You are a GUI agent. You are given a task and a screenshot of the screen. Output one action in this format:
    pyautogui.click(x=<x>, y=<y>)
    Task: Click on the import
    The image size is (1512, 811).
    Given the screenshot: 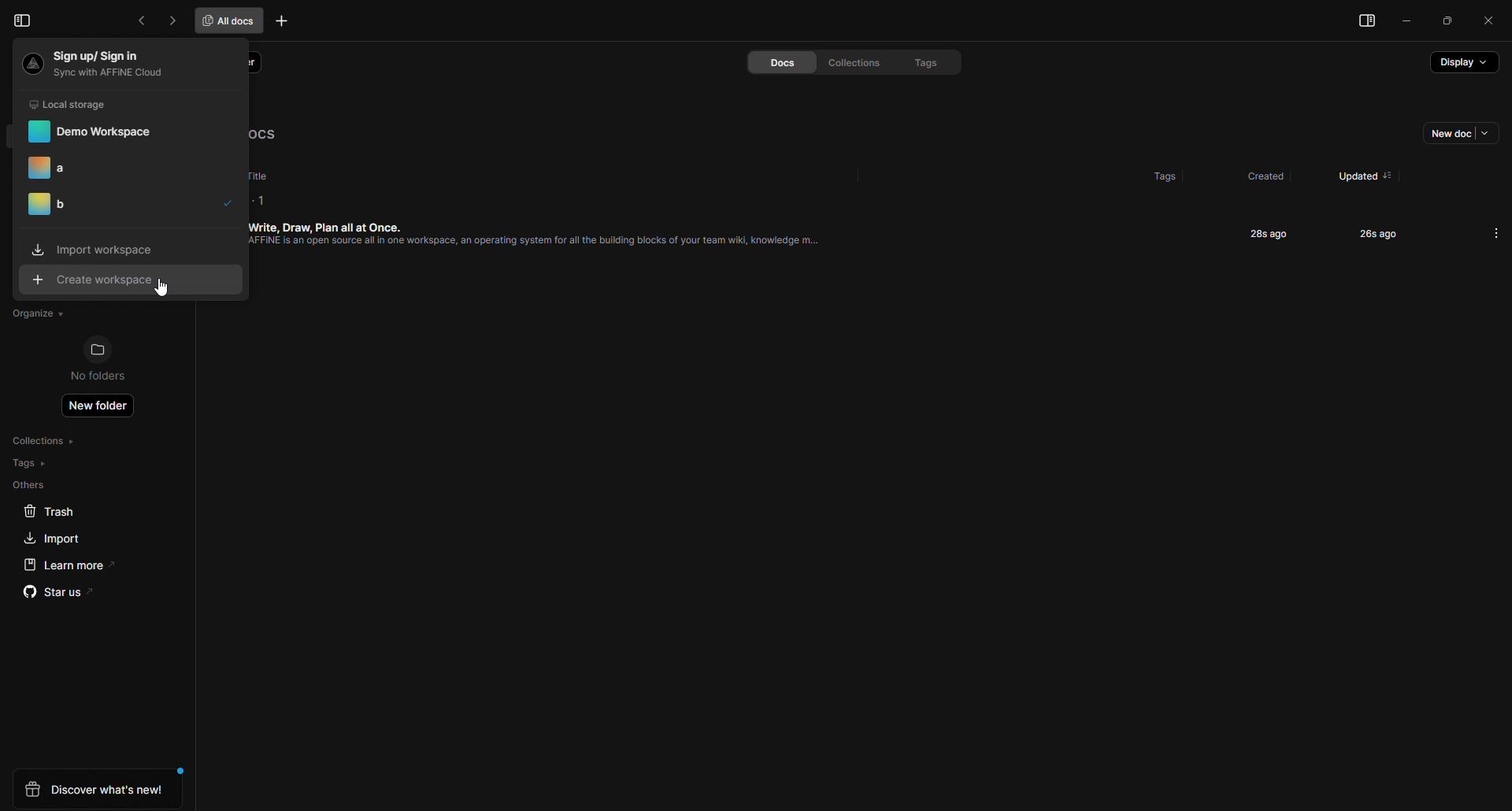 What is the action you would take?
    pyautogui.click(x=92, y=250)
    